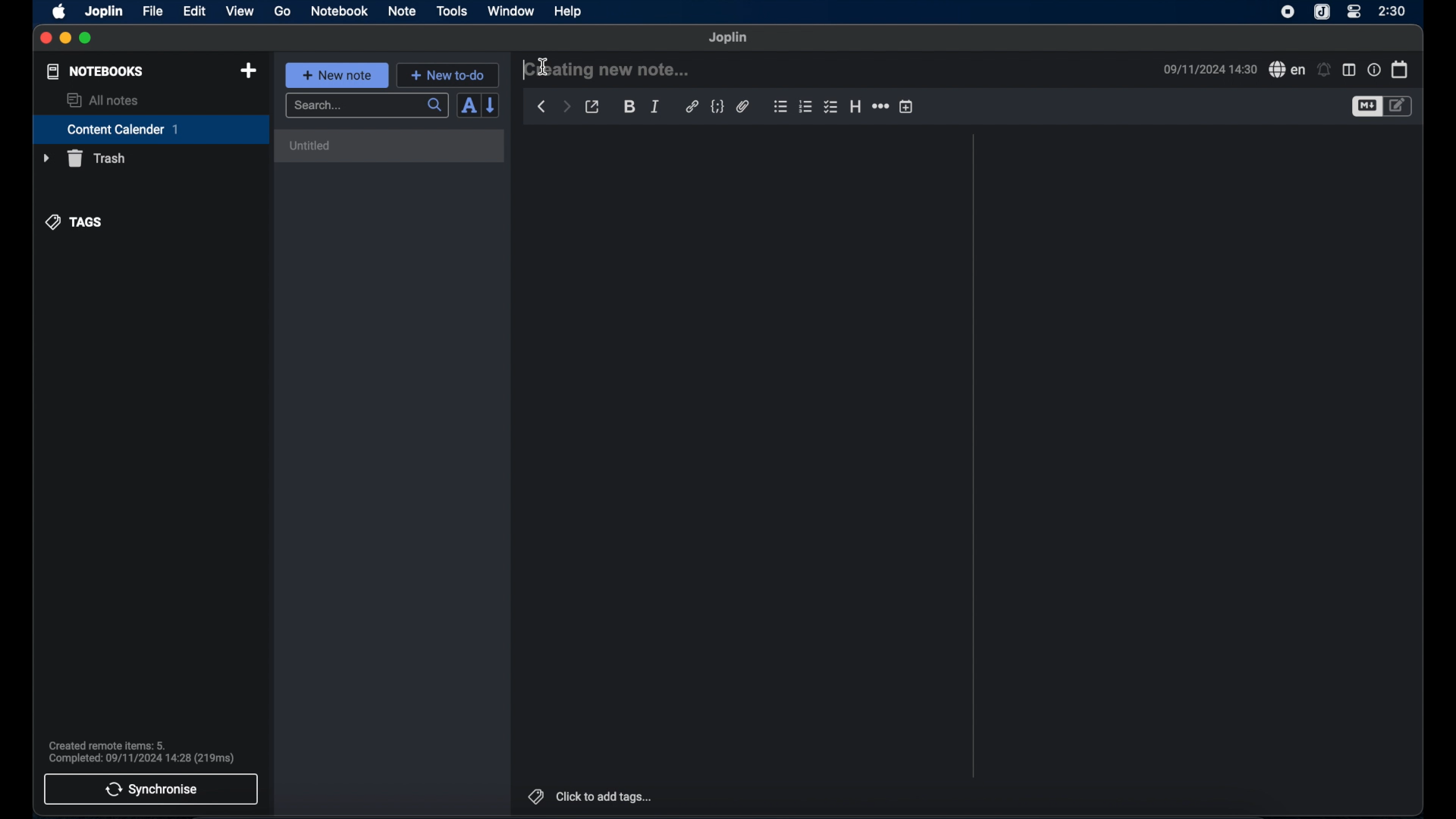  What do you see at coordinates (511, 11) in the screenshot?
I see `window` at bounding box center [511, 11].